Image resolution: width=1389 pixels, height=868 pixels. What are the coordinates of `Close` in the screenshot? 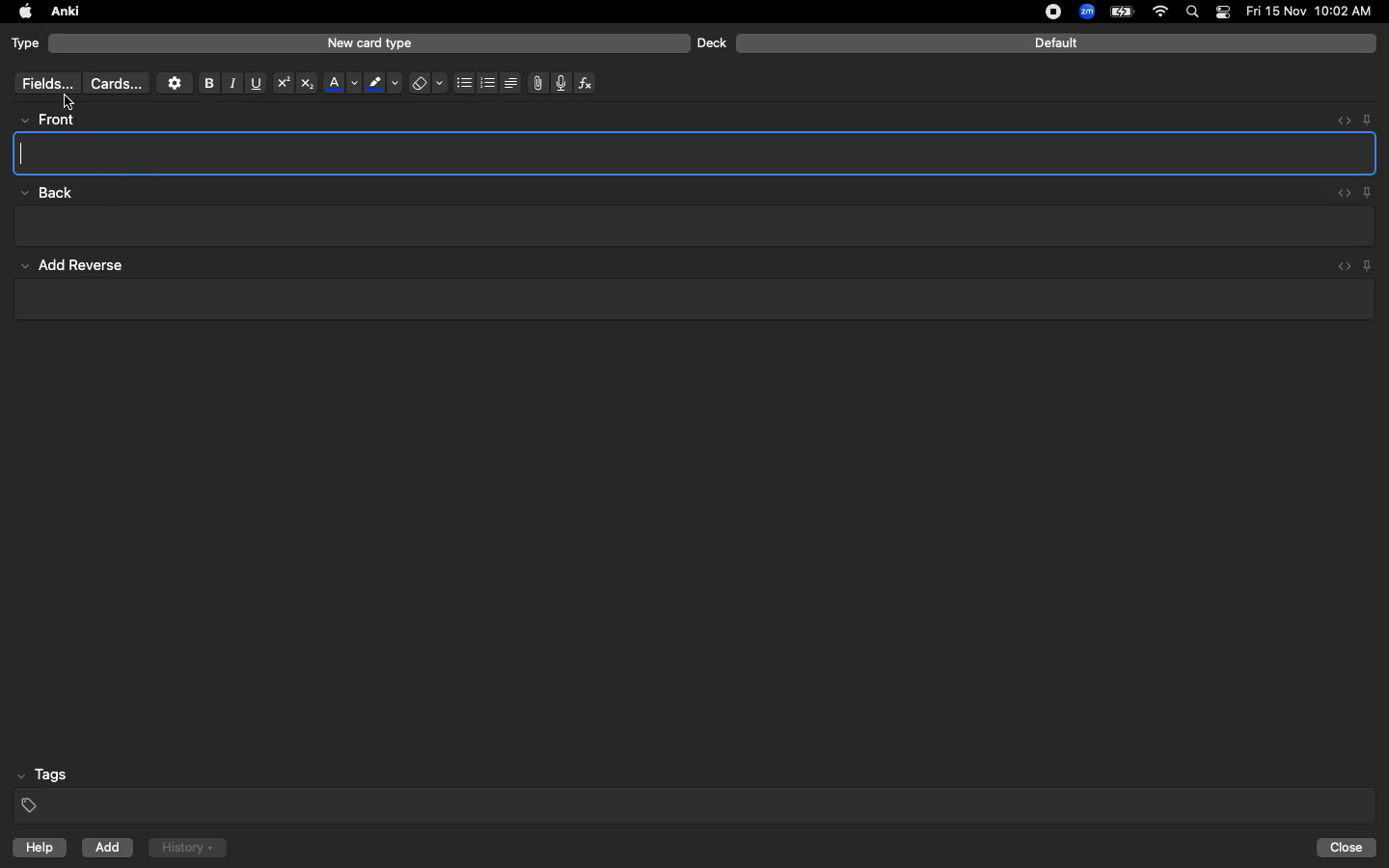 It's located at (1349, 848).